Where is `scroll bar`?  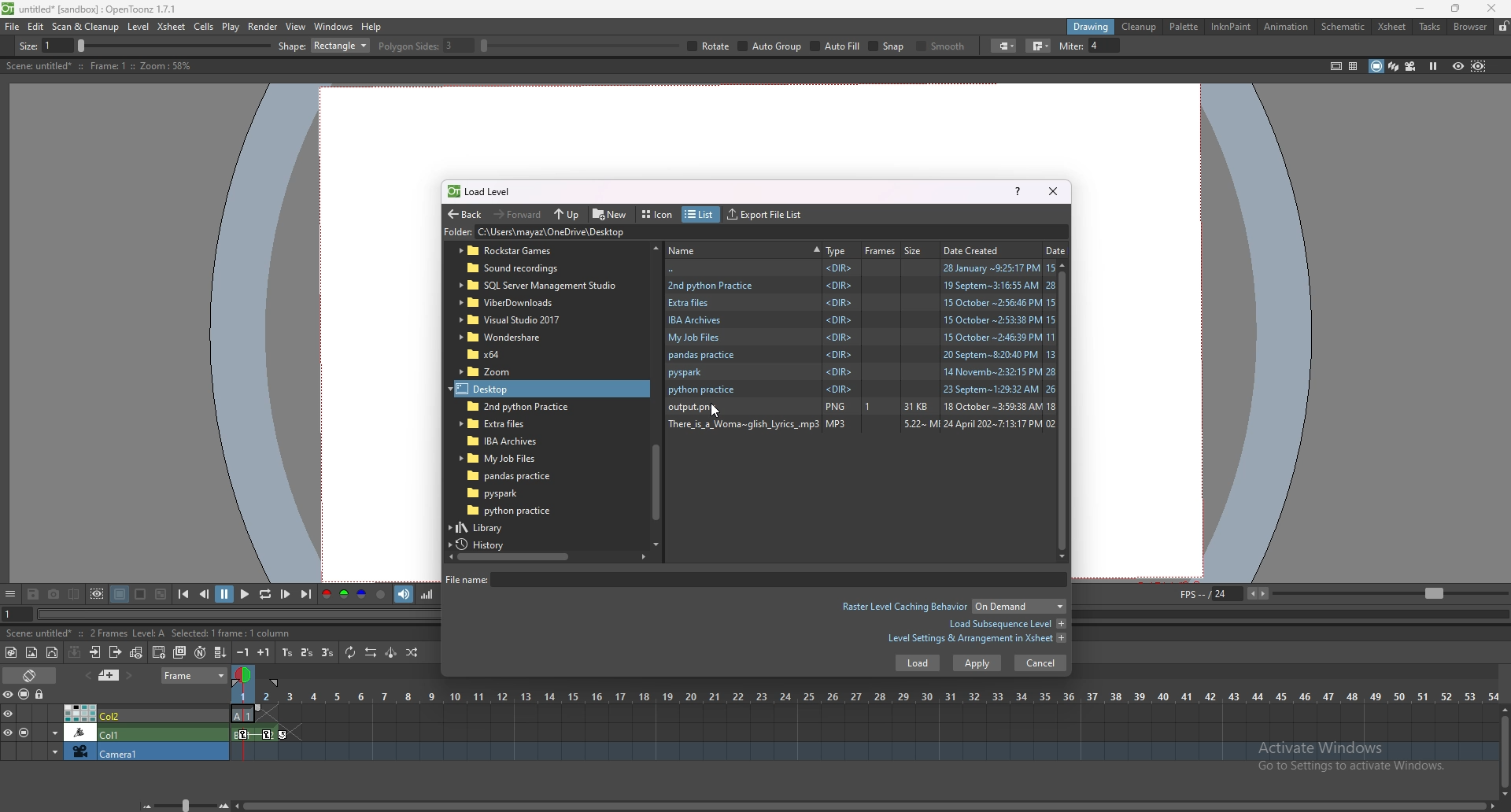
scroll bar is located at coordinates (866, 804).